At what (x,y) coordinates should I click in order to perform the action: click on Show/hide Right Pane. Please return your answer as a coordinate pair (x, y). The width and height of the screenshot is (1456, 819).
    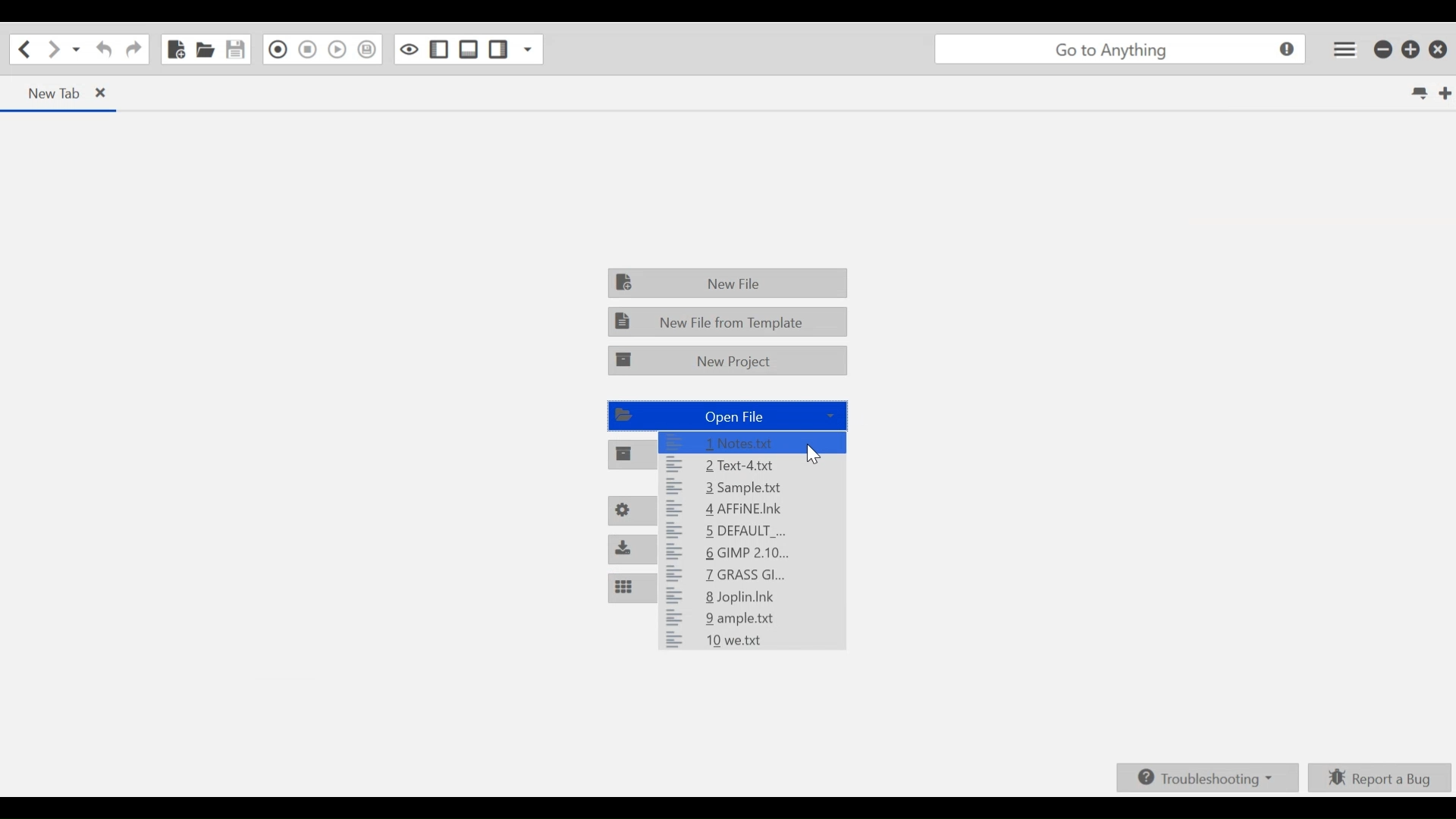
    Looking at the image, I should click on (498, 50).